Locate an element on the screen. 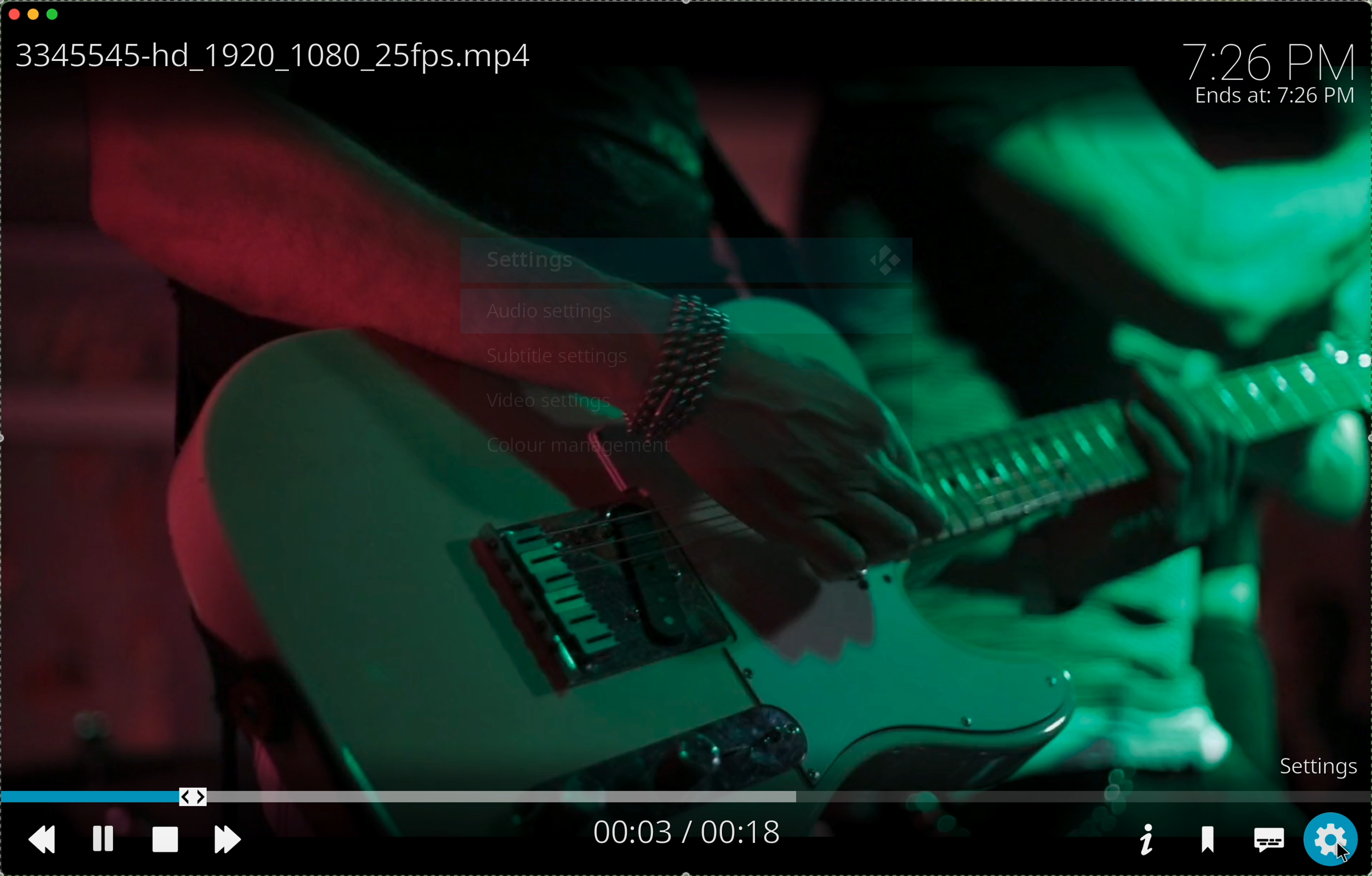  cursor is located at coordinates (1342, 852).